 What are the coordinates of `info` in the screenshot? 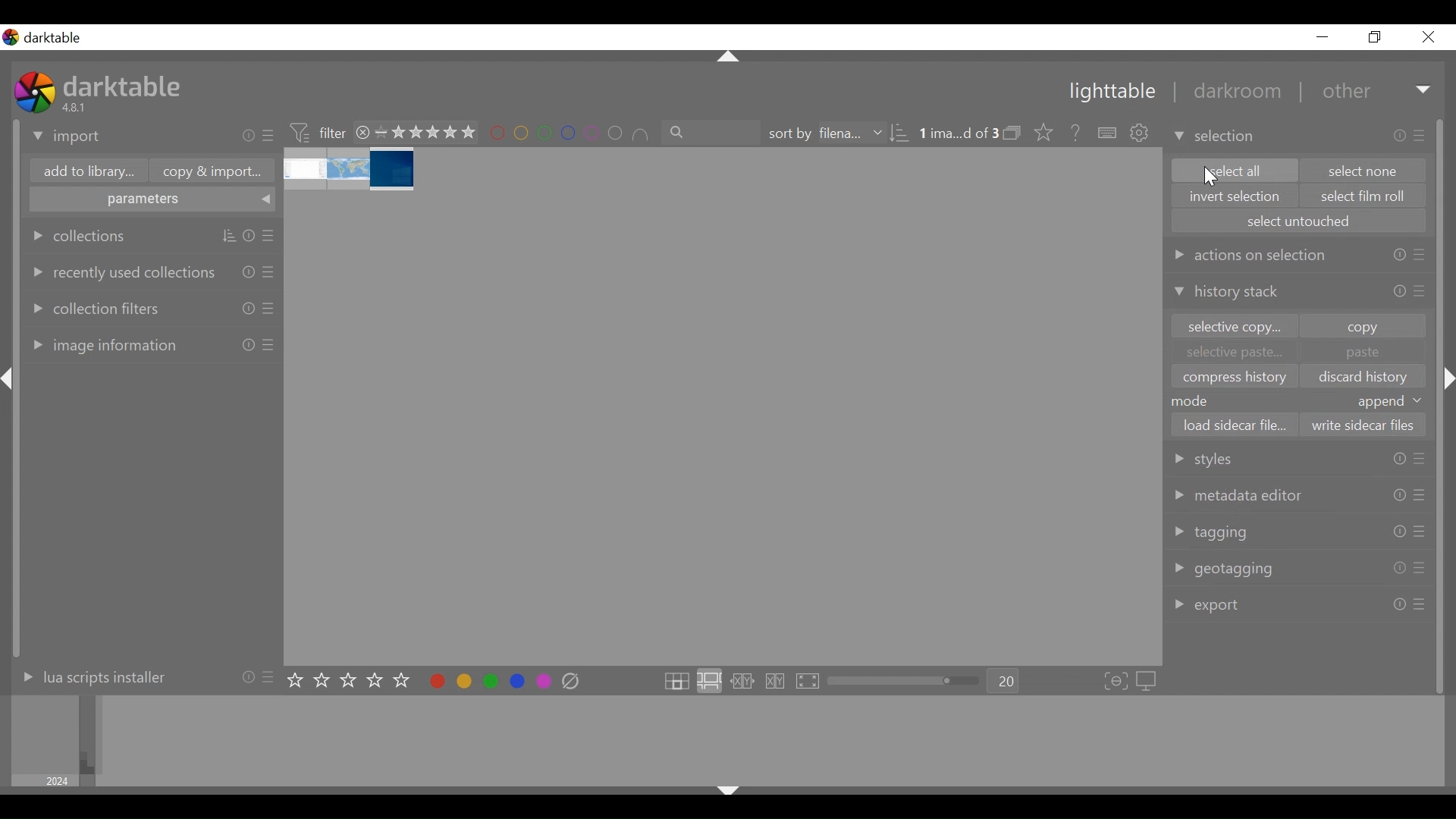 It's located at (1399, 496).